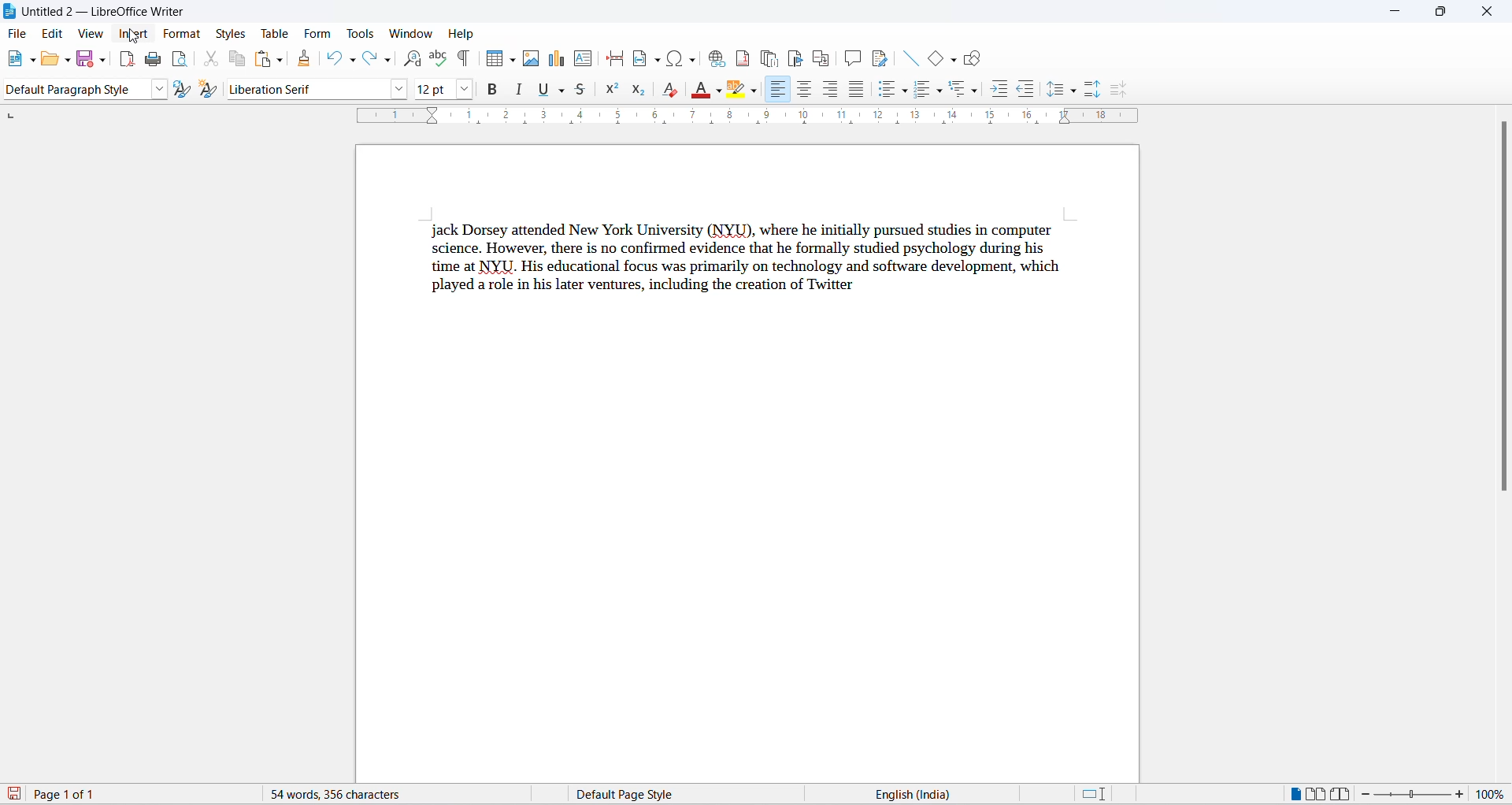 This screenshot has width=1512, height=805. What do you see at coordinates (958, 793) in the screenshot?
I see `English(India)` at bounding box center [958, 793].